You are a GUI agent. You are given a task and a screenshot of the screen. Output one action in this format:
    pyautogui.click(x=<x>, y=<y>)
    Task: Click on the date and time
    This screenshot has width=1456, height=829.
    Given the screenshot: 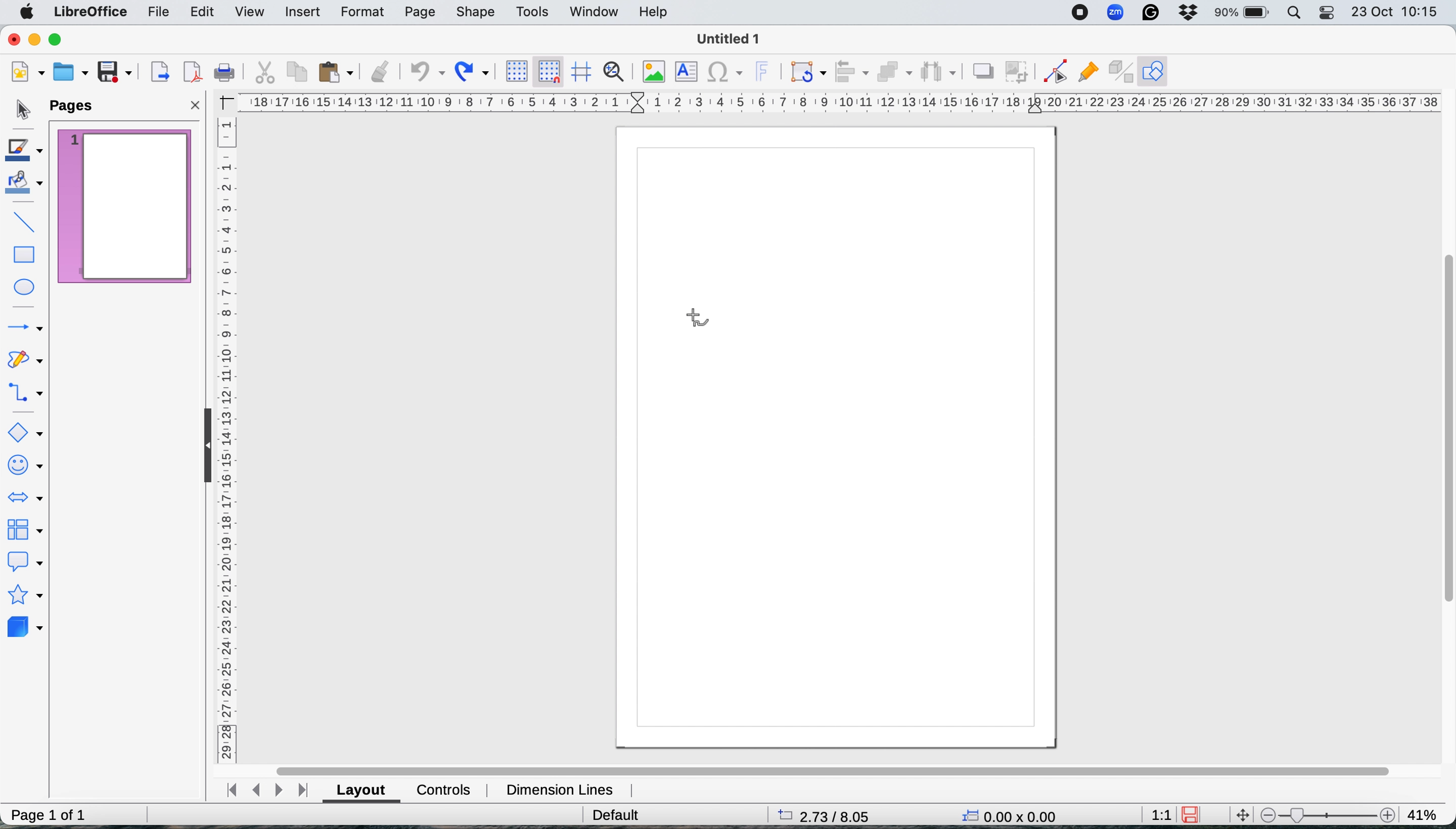 What is the action you would take?
    pyautogui.click(x=1395, y=13)
    